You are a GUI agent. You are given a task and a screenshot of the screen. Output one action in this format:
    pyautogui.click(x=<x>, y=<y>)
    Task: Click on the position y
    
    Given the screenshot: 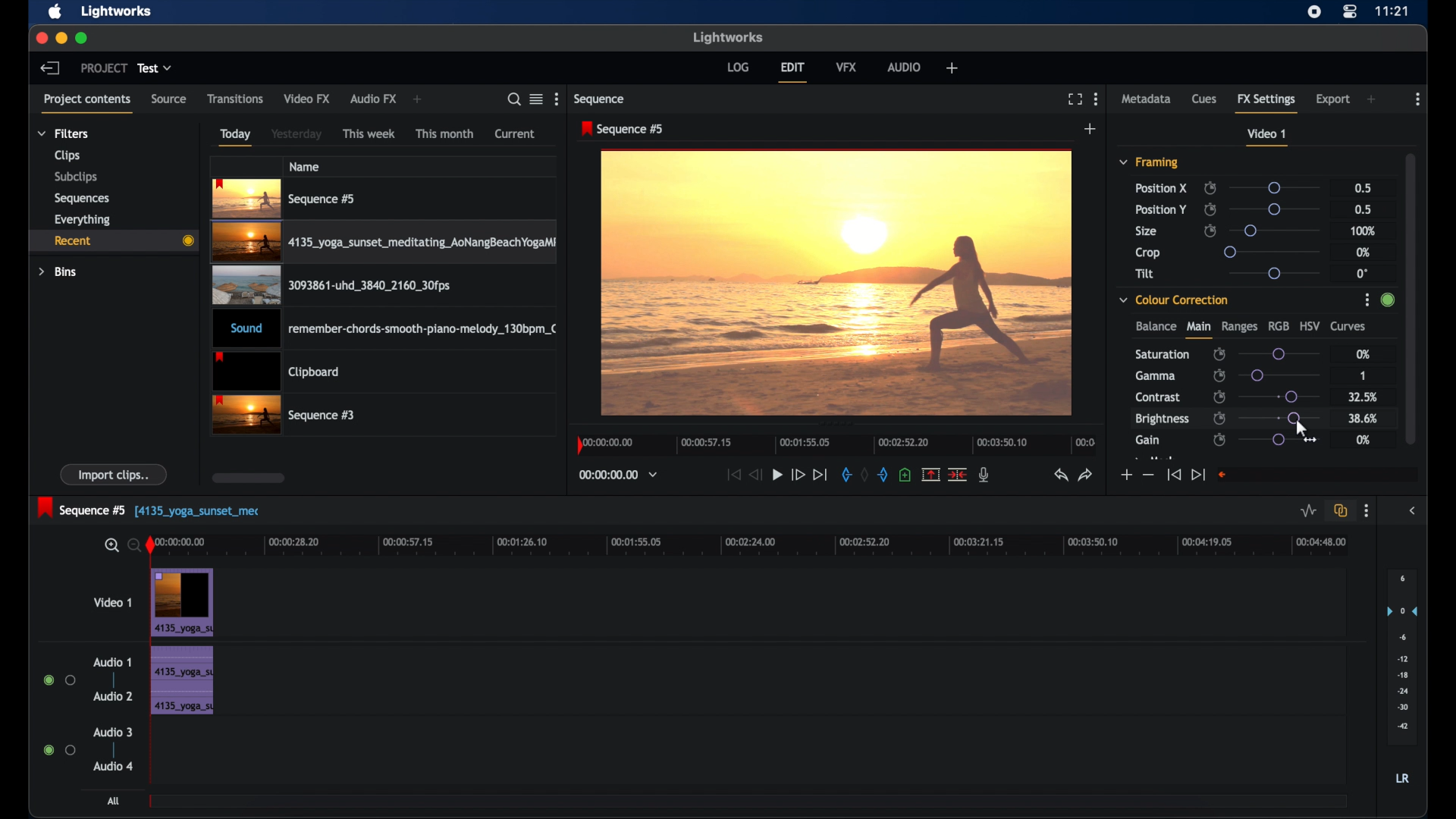 What is the action you would take?
    pyautogui.click(x=1160, y=209)
    